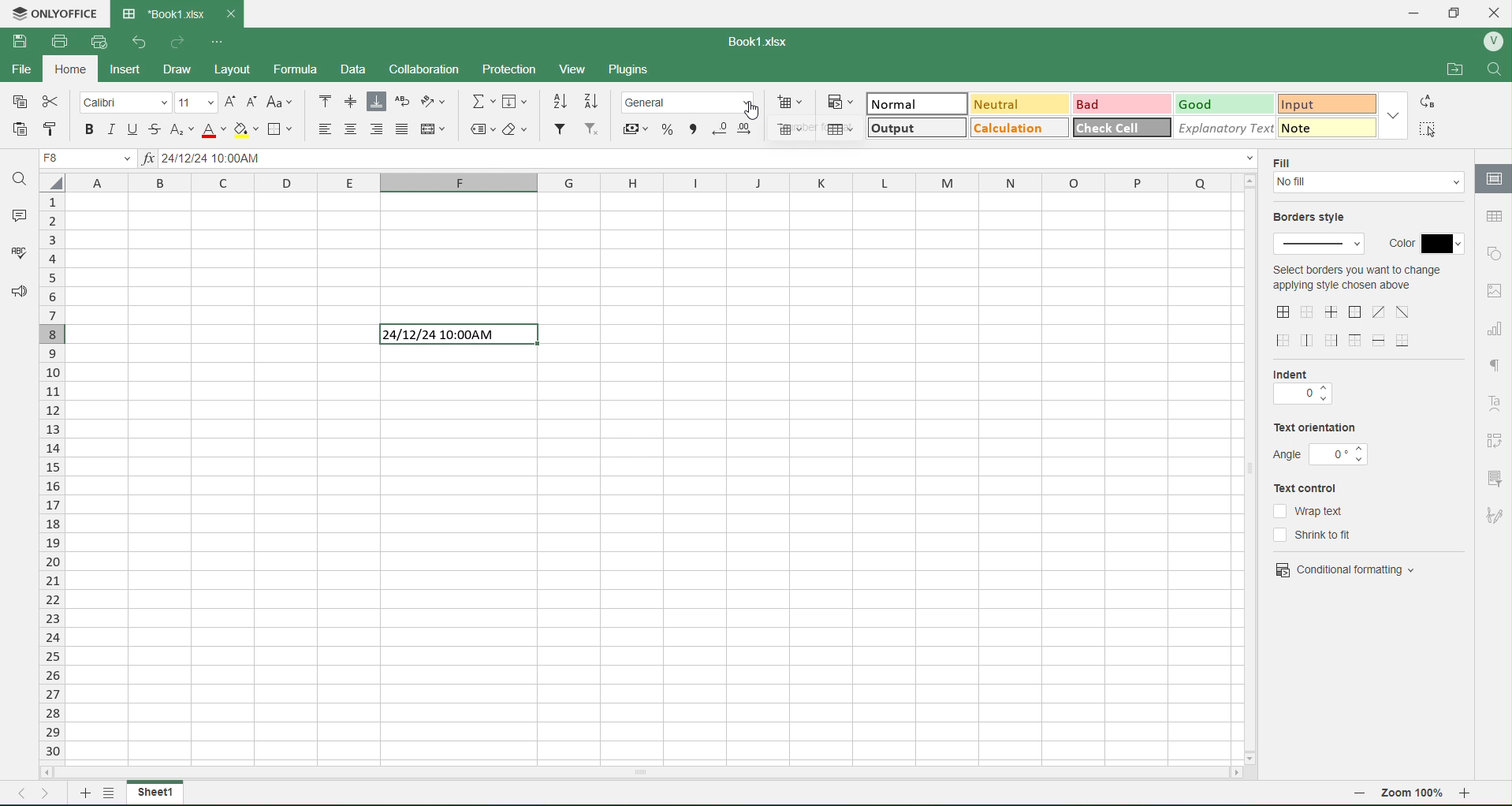 The height and width of the screenshot is (806, 1512). What do you see at coordinates (349, 101) in the screenshot?
I see `Middle Size` at bounding box center [349, 101].